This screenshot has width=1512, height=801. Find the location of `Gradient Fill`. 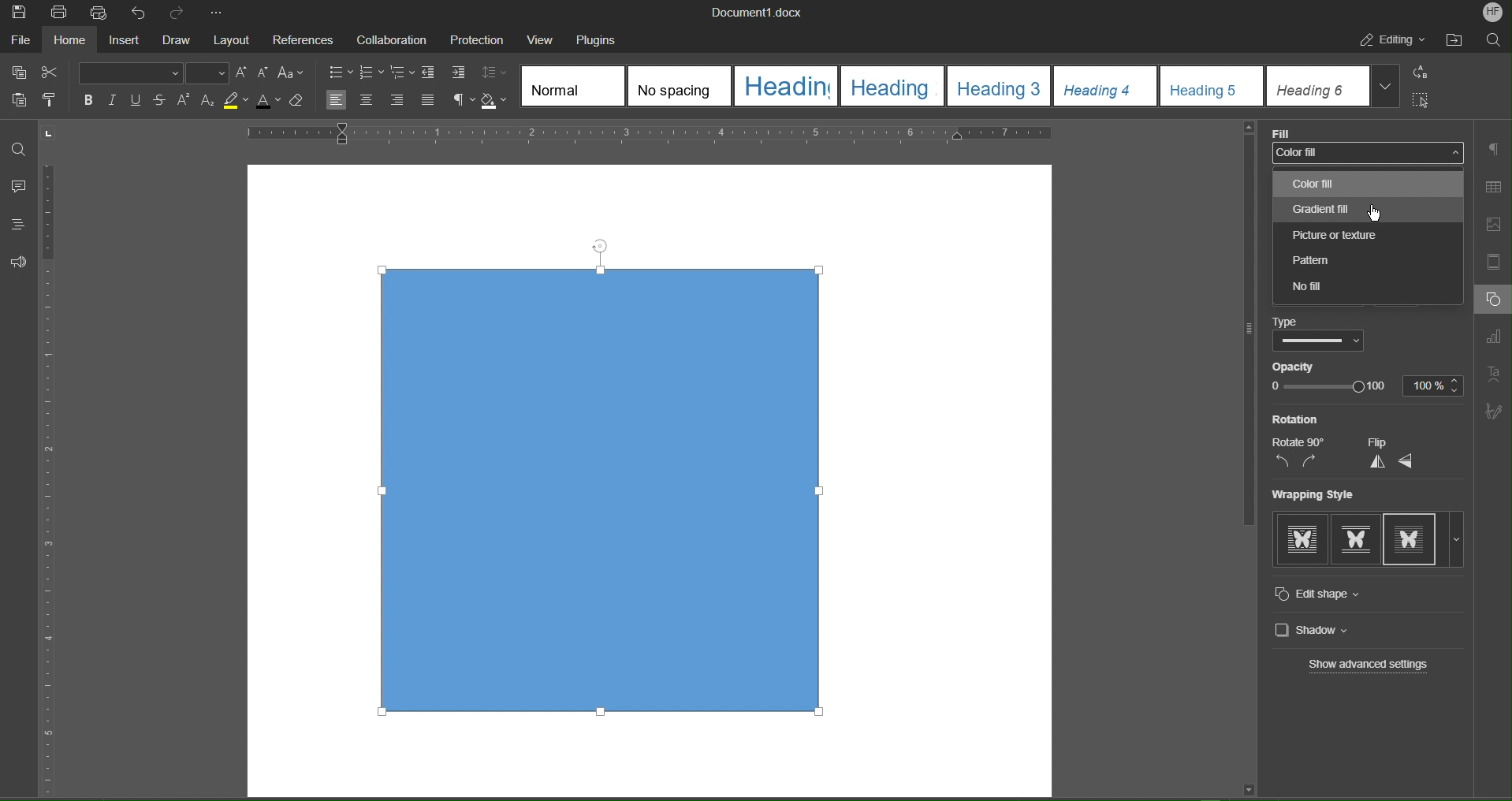

Gradient Fill is located at coordinates (1320, 207).